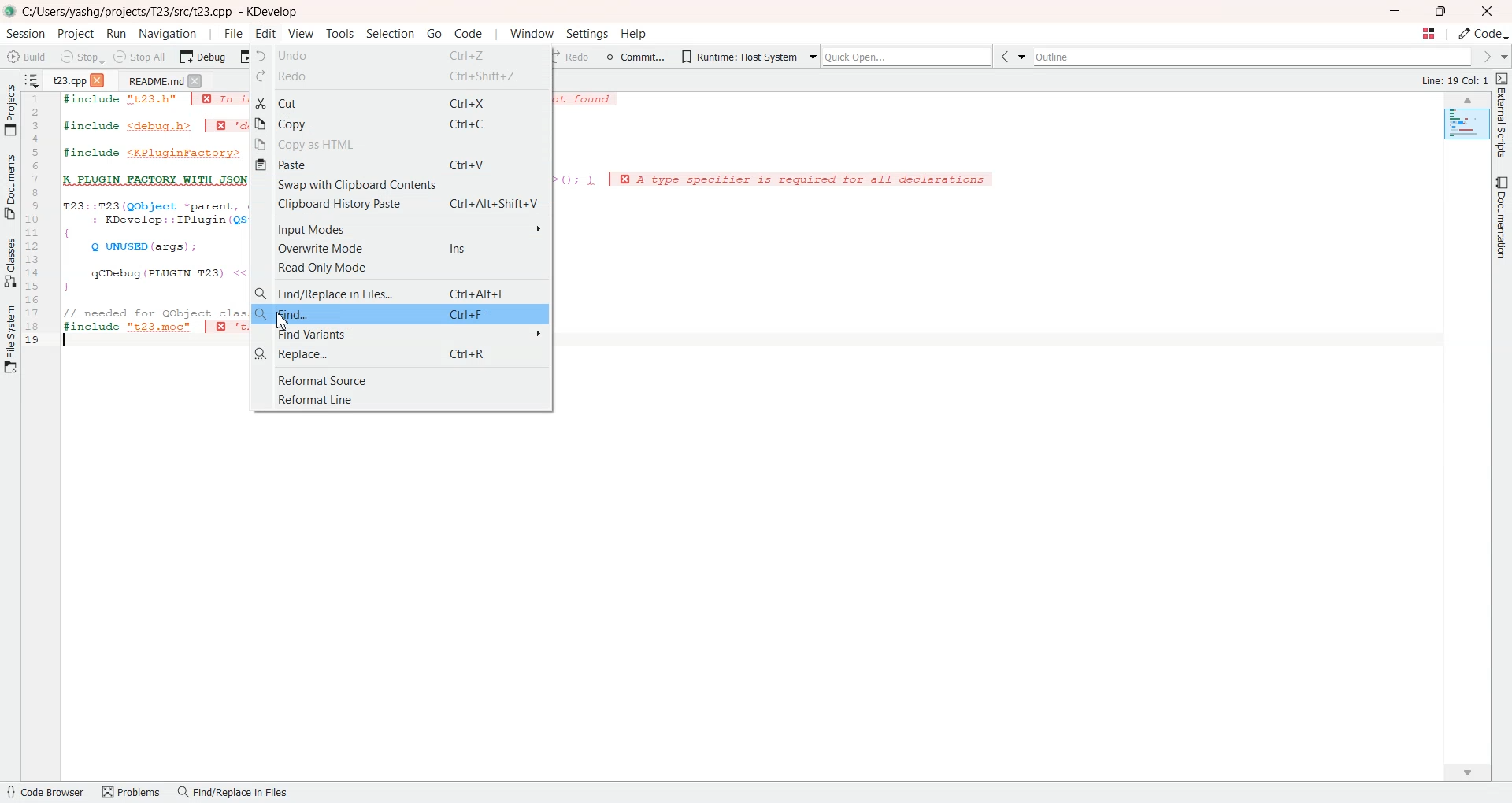 The width and height of the screenshot is (1512, 803). What do you see at coordinates (736, 55) in the screenshot?
I see `Runtime : Host System` at bounding box center [736, 55].